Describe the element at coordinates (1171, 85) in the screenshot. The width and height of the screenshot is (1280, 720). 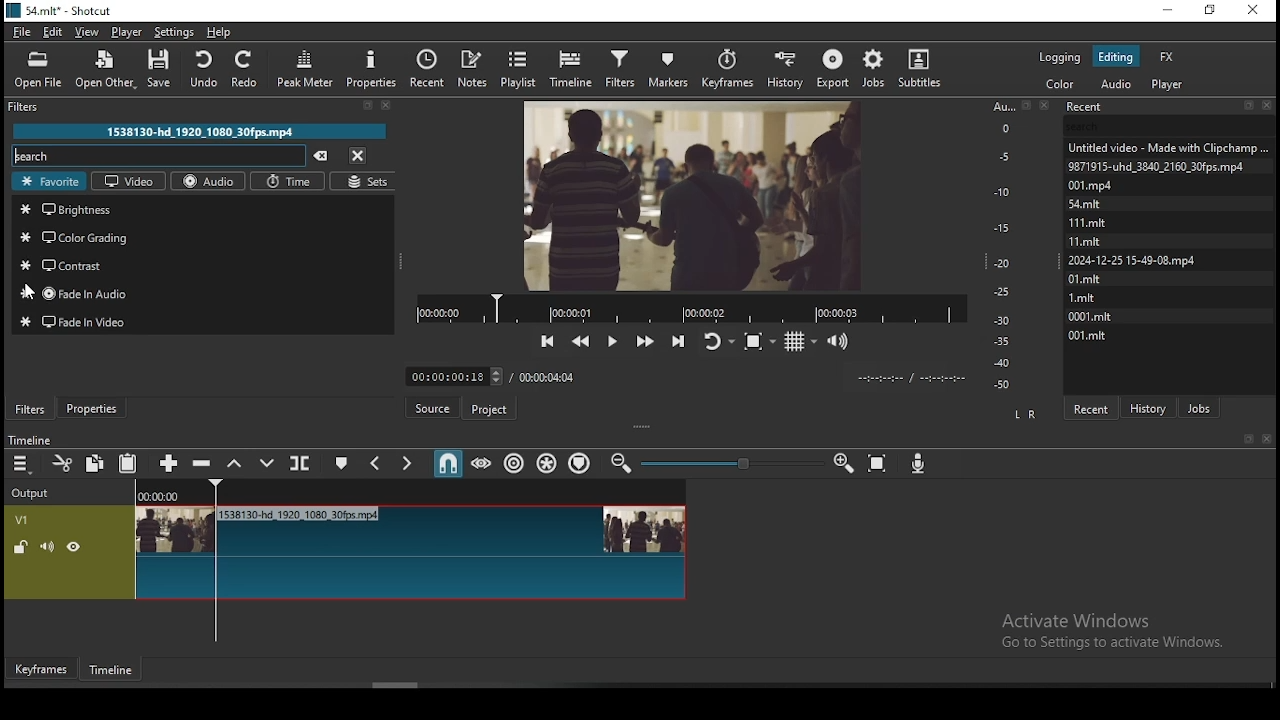
I see `audio` at that location.